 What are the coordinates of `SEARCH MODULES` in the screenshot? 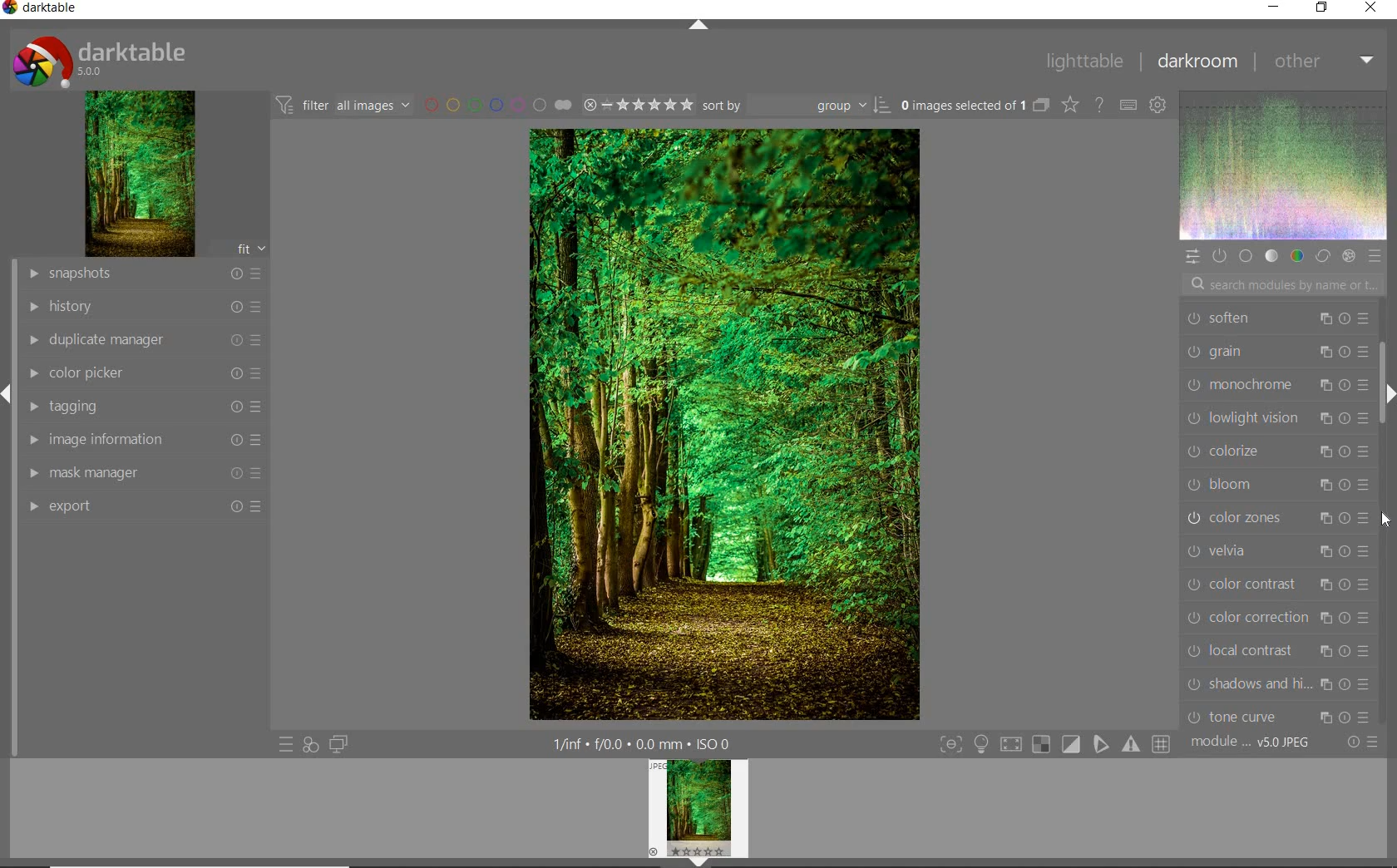 It's located at (1283, 284).